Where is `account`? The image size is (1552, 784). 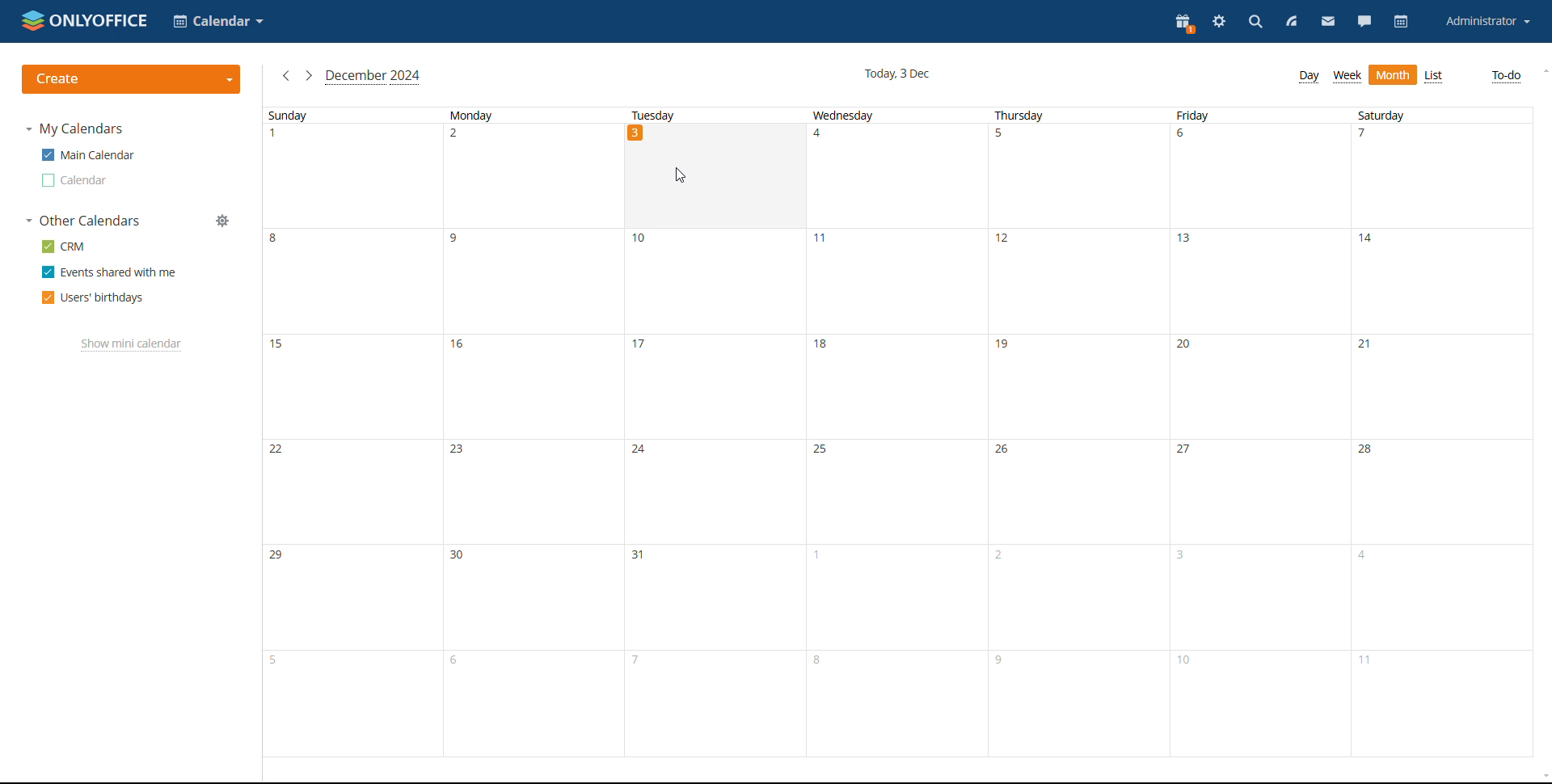
account is located at coordinates (1489, 22).